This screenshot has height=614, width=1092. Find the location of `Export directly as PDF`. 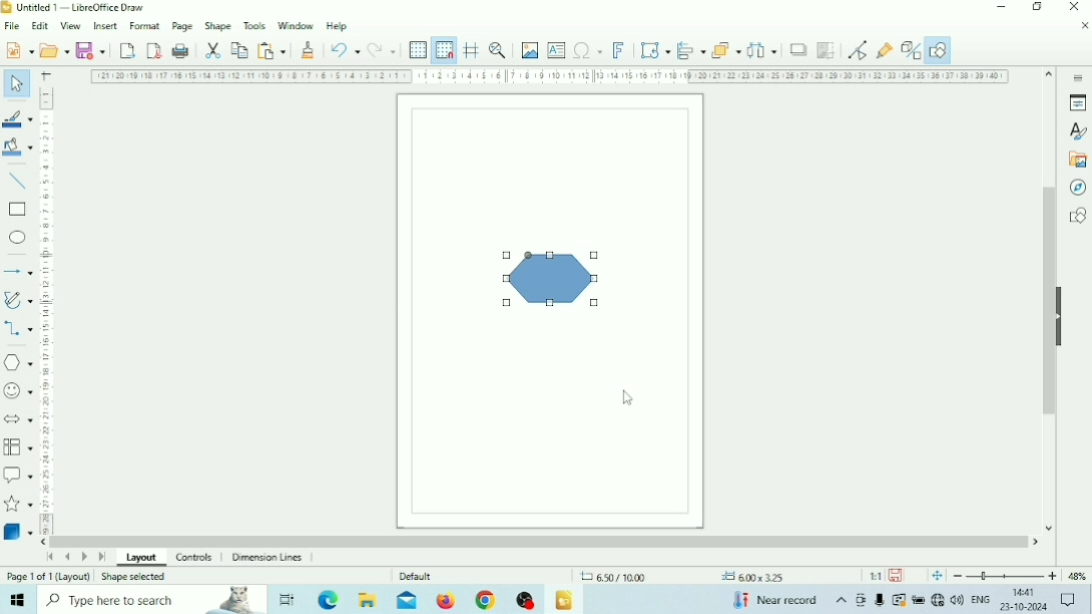

Export directly as PDF is located at coordinates (155, 49).